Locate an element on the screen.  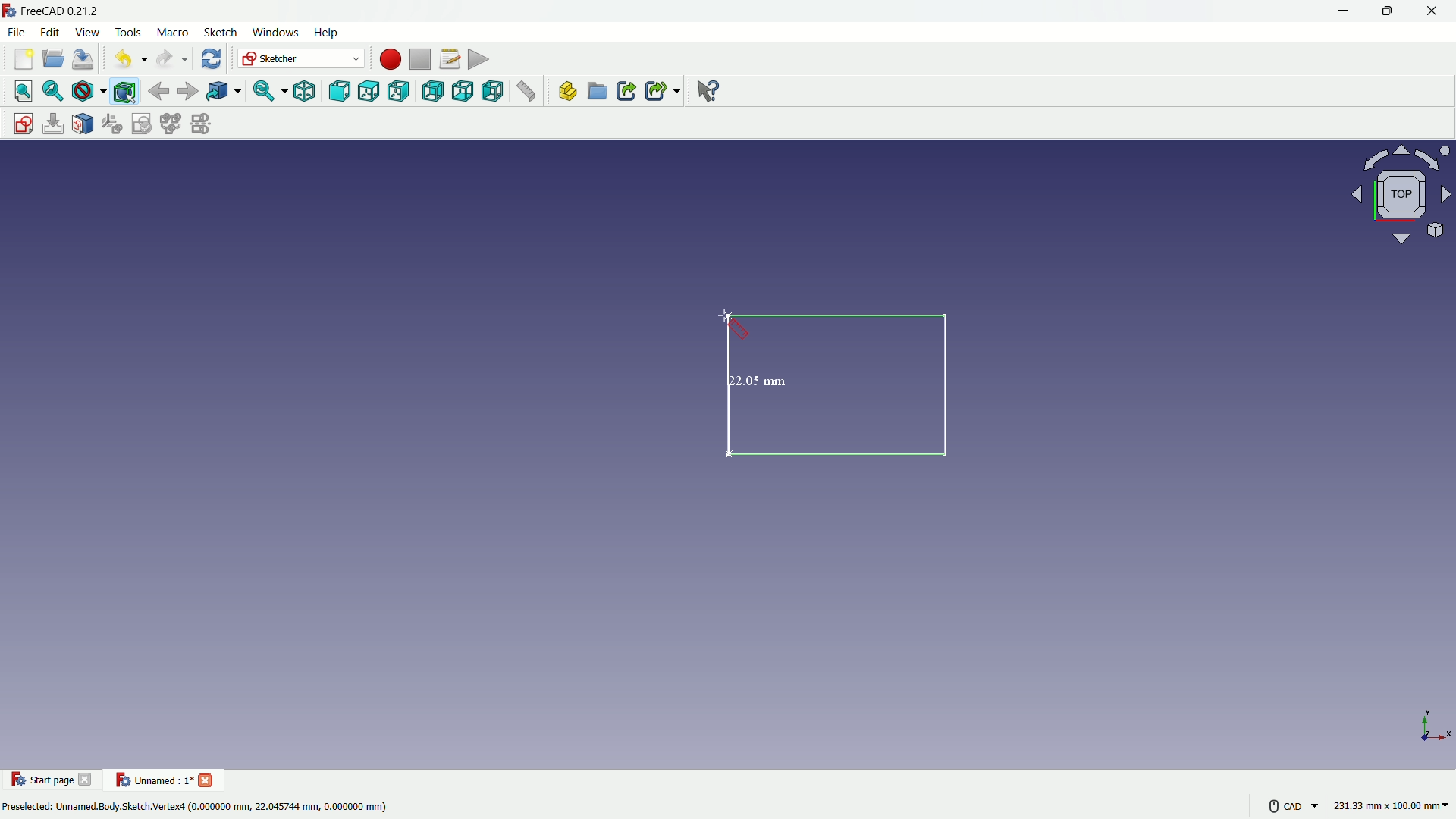
tools menu is located at coordinates (127, 32).